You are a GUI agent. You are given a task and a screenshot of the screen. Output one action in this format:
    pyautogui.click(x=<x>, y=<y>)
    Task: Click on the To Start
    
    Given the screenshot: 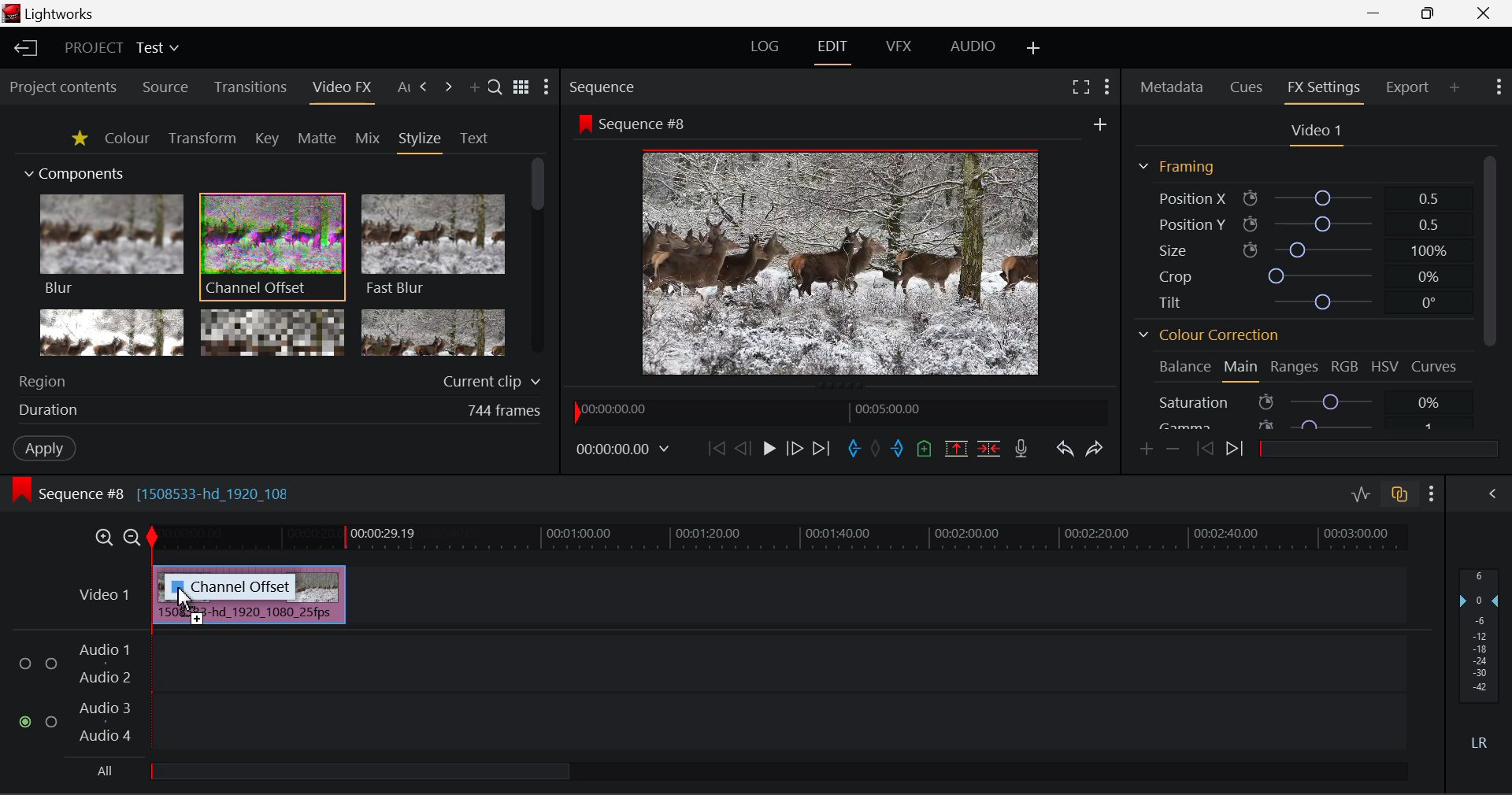 What is the action you would take?
    pyautogui.click(x=717, y=447)
    